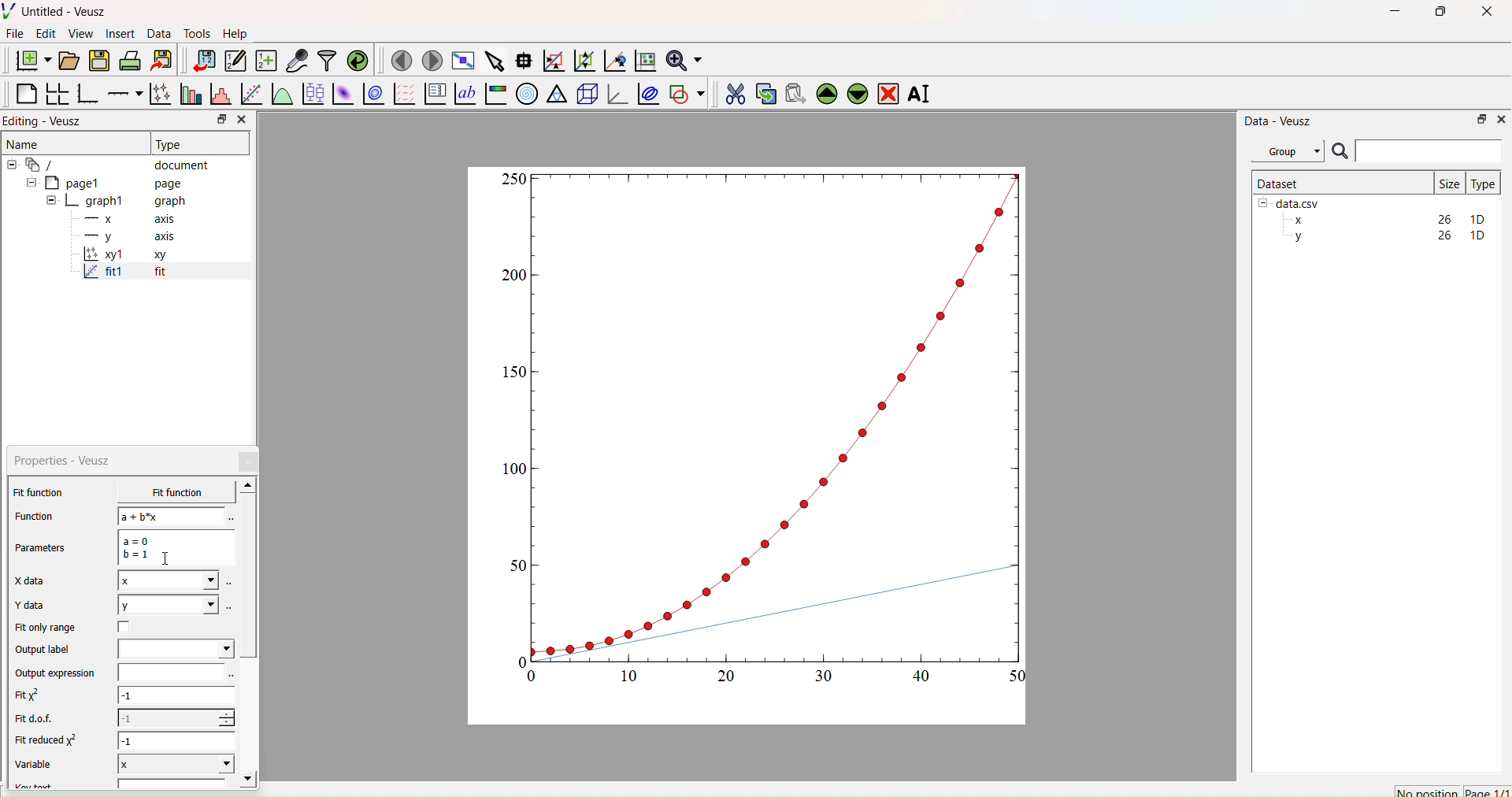 The width and height of the screenshot is (1512, 797). What do you see at coordinates (1451, 791) in the screenshot?
I see `No position Page 1/1` at bounding box center [1451, 791].